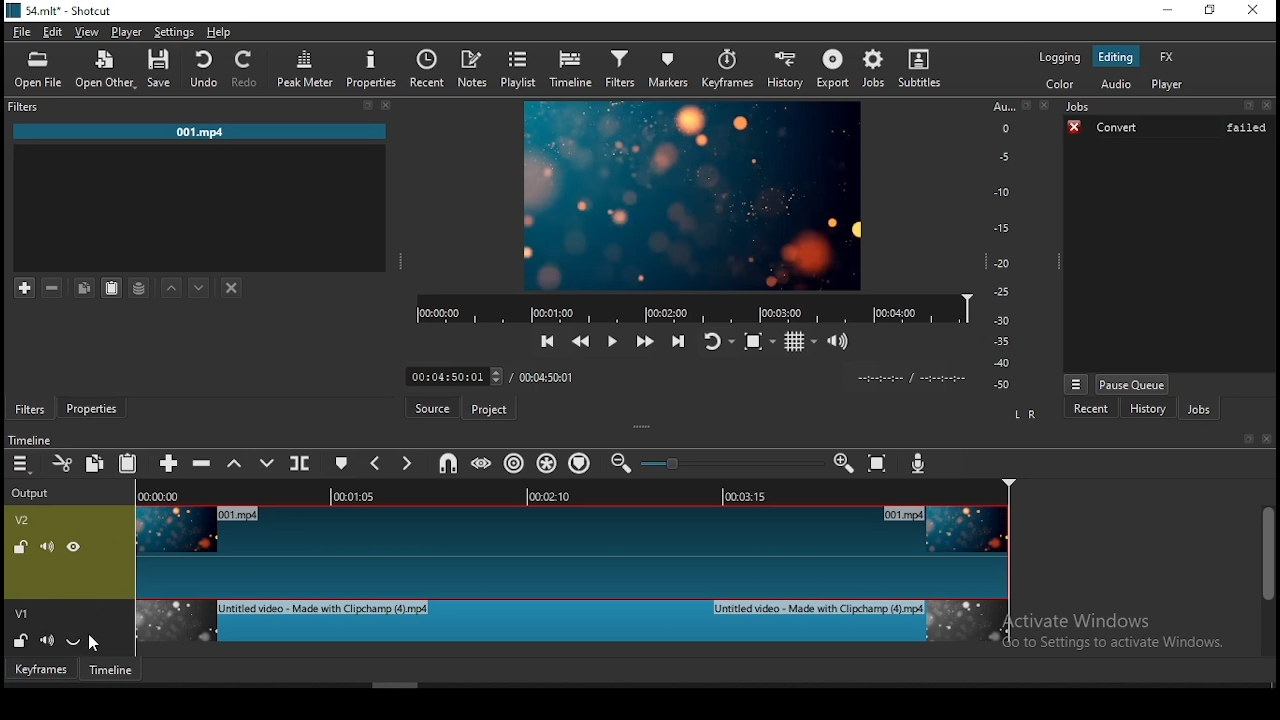  Describe the element at coordinates (131, 30) in the screenshot. I see `player` at that location.